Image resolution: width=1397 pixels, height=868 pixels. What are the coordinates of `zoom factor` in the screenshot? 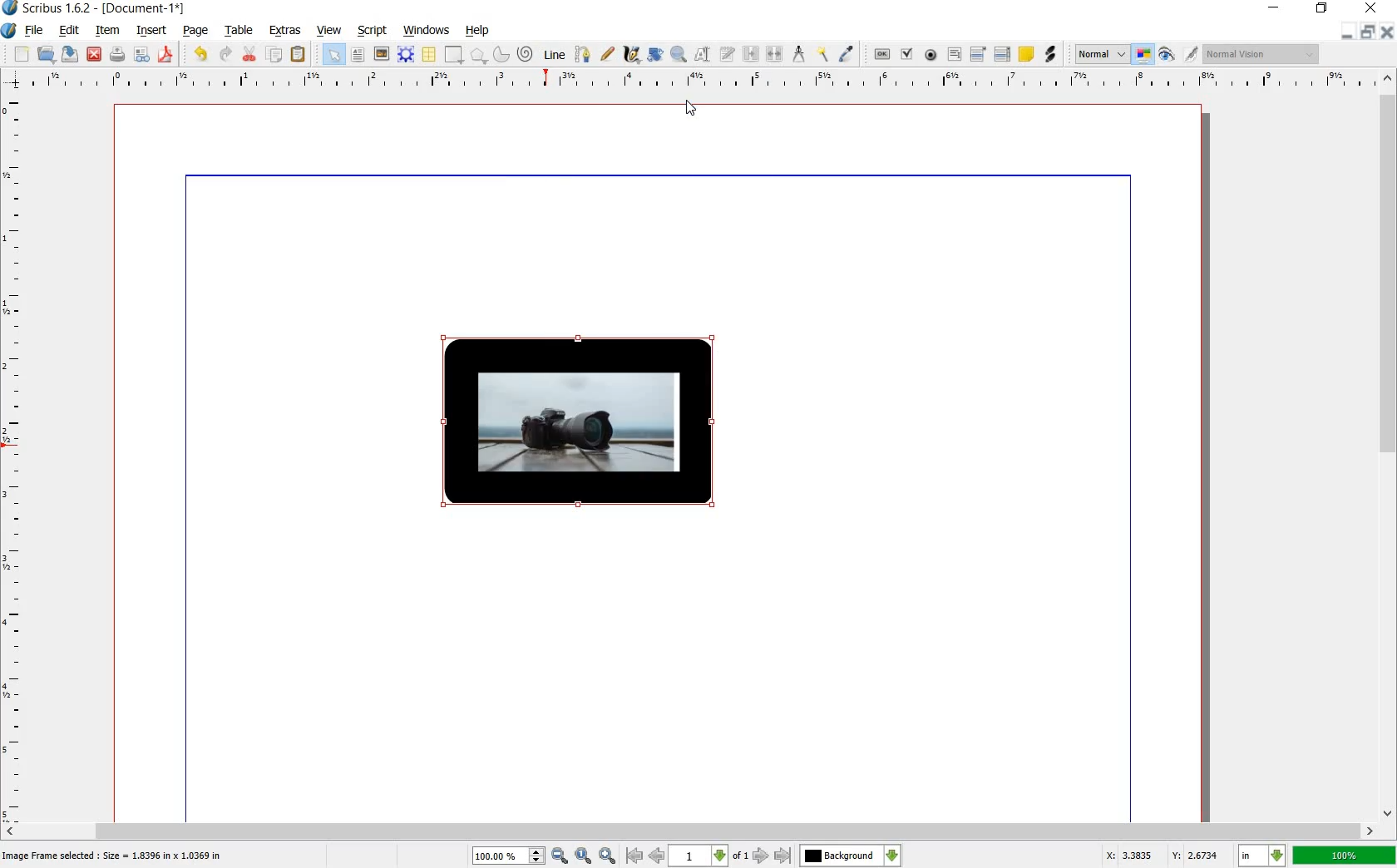 It's located at (1345, 856).